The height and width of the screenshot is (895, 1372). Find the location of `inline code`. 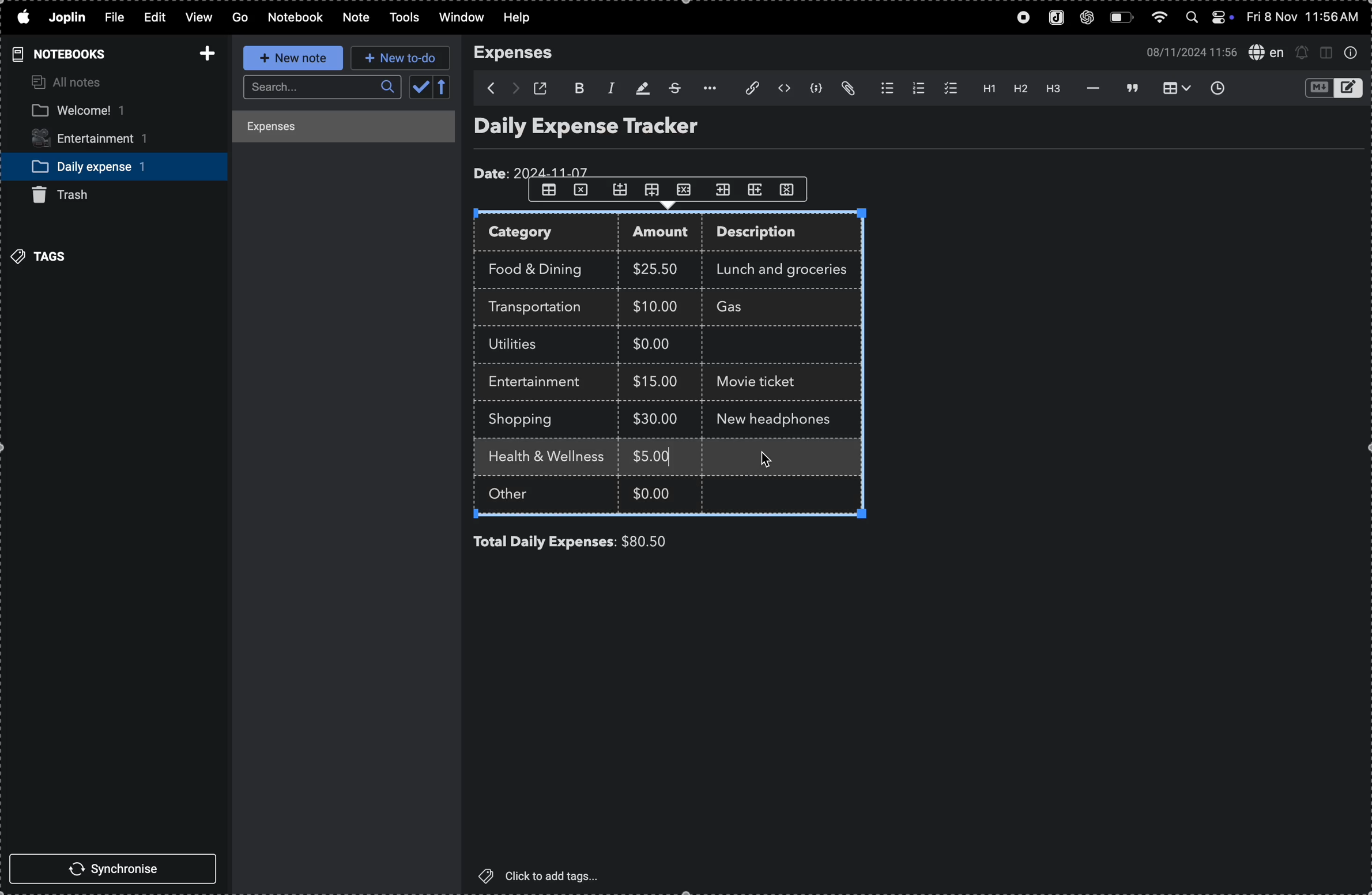

inline code is located at coordinates (783, 89).